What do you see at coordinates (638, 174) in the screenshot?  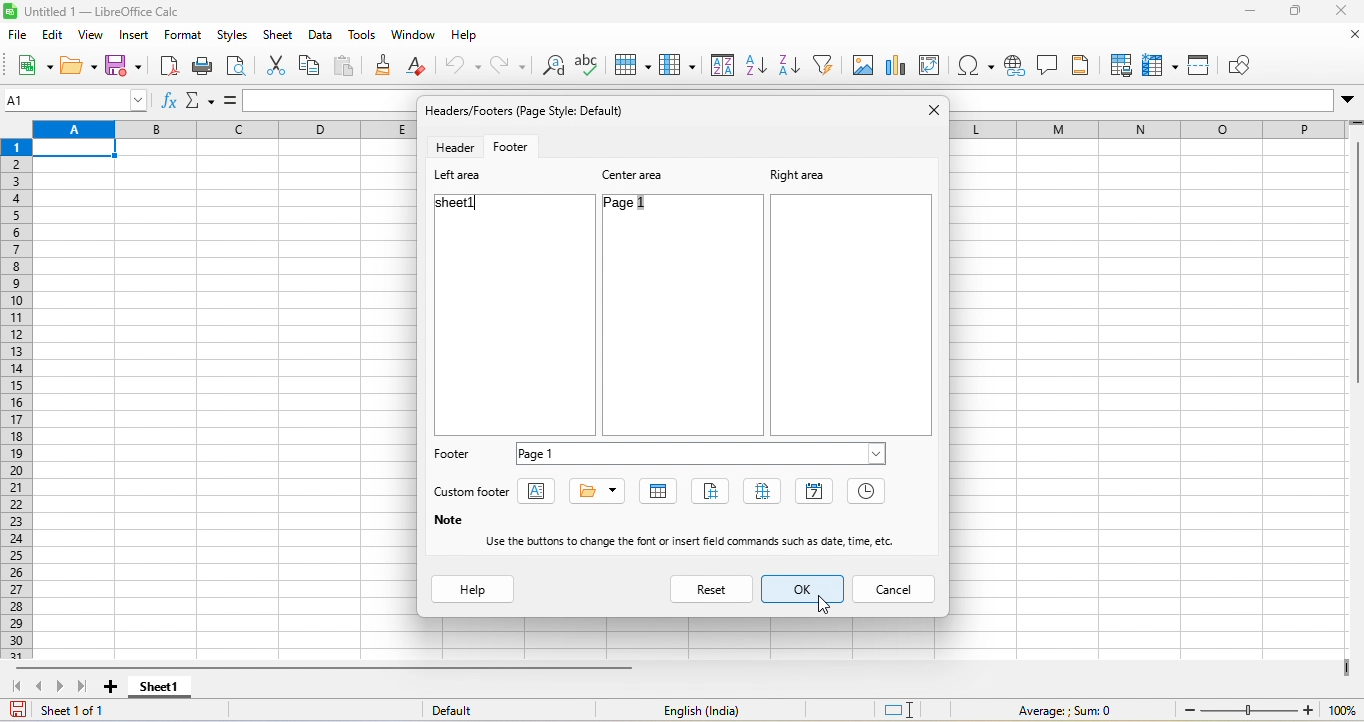 I see `center area` at bounding box center [638, 174].